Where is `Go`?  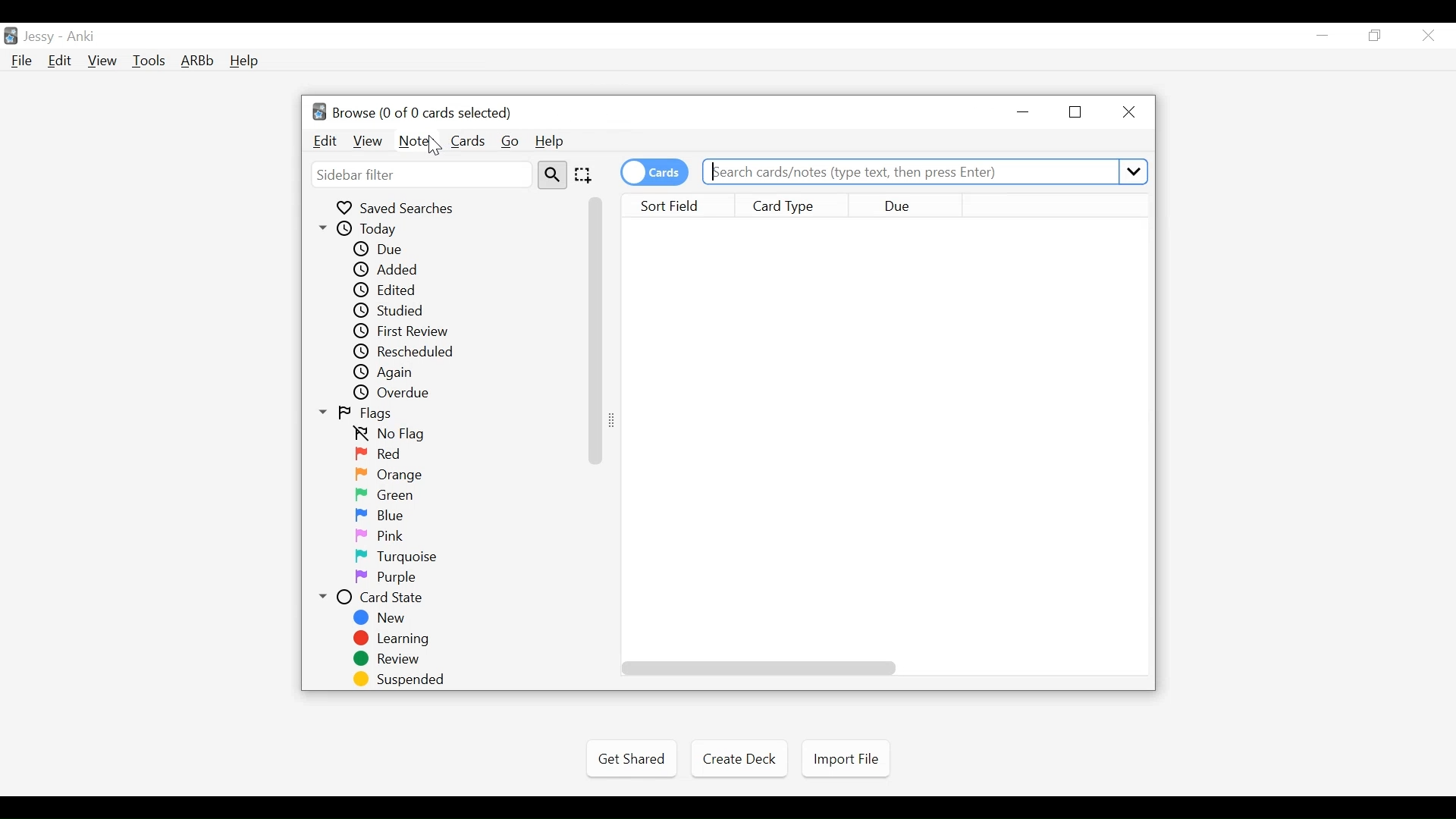 Go is located at coordinates (511, 142).